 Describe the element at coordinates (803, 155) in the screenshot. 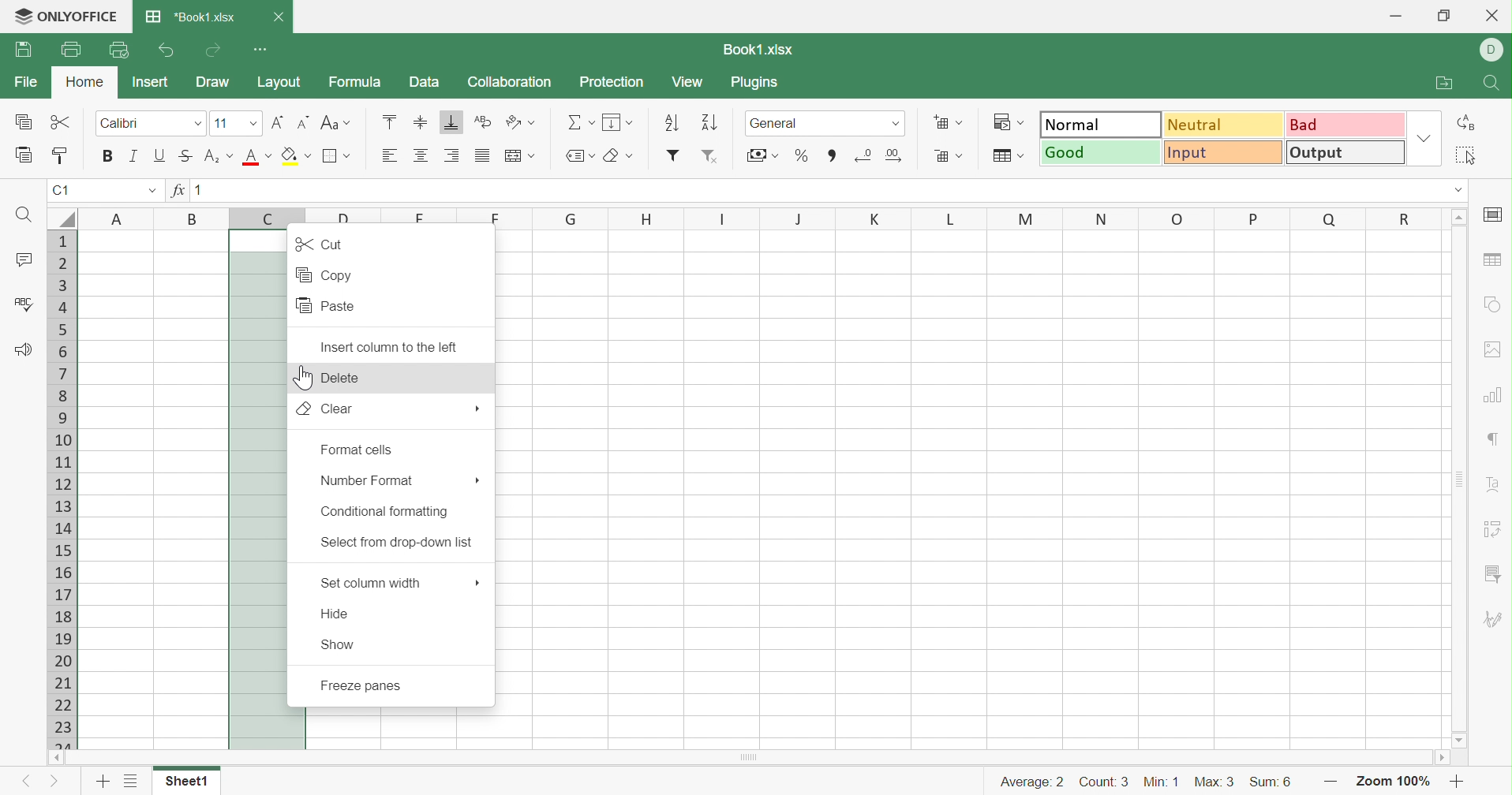

I see `Percentage style` at that location.